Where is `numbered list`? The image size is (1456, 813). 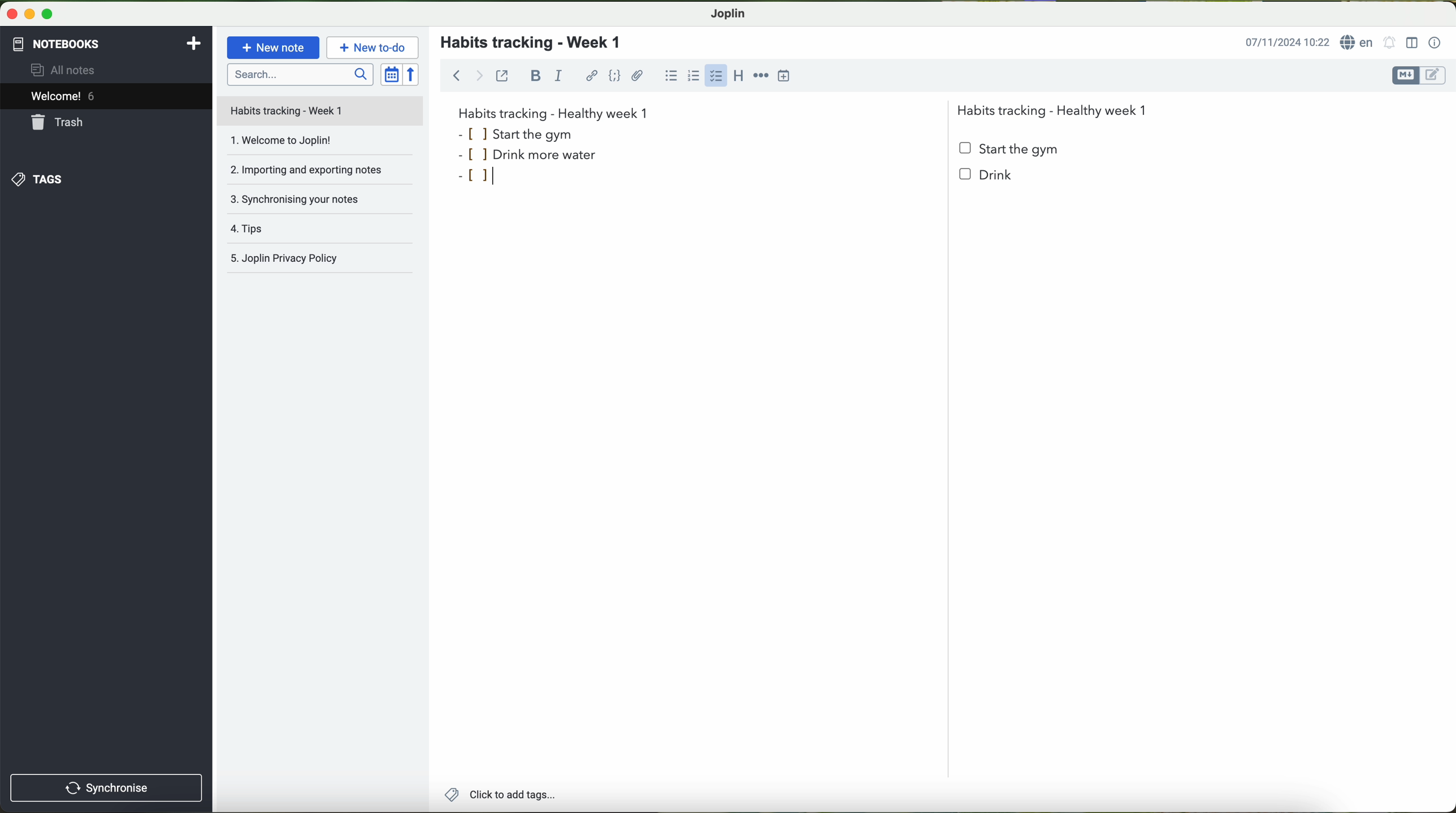 numbered list is located at coordinates (695, 75).